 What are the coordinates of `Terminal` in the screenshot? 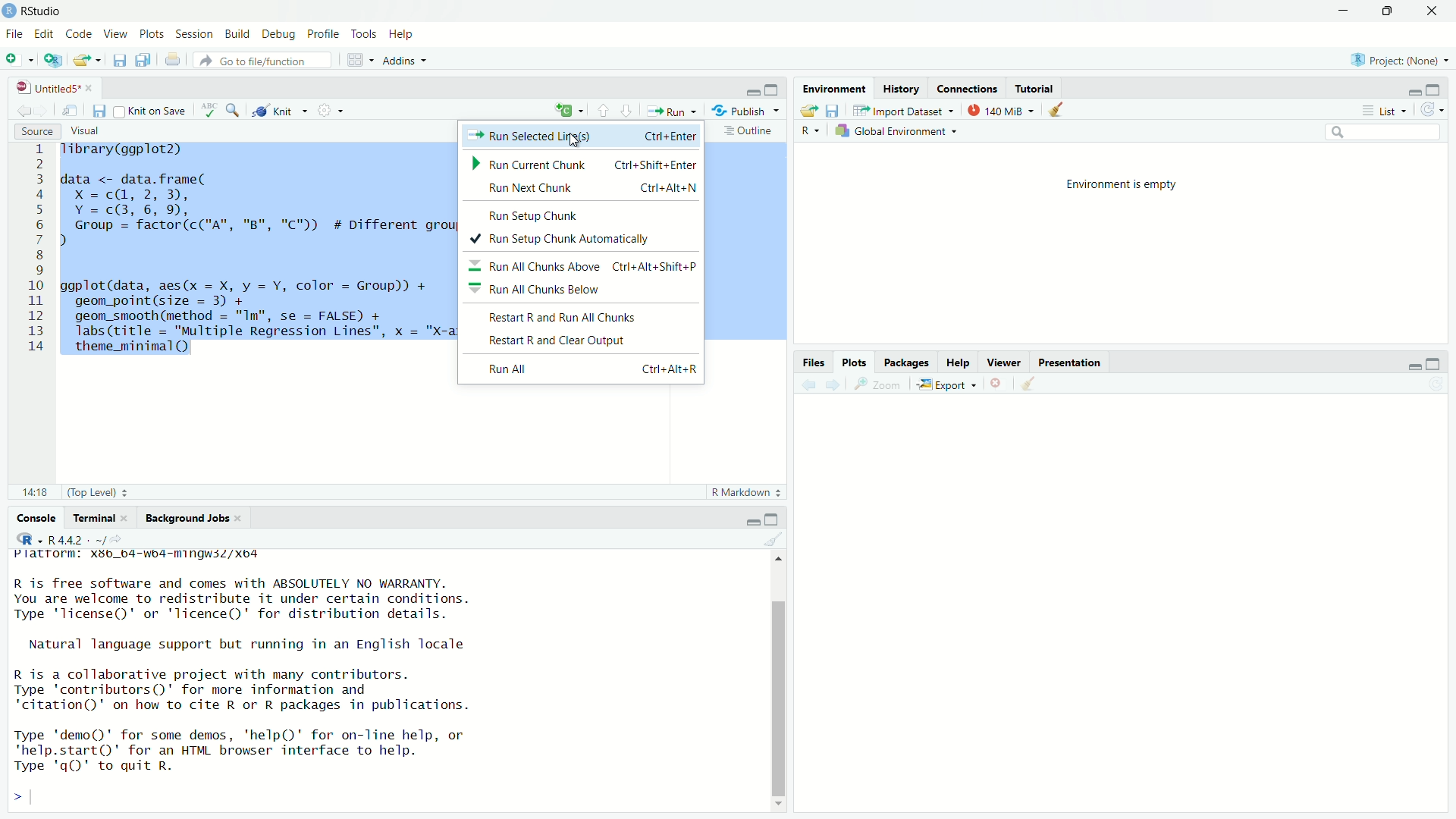 It's located at (90, 516).